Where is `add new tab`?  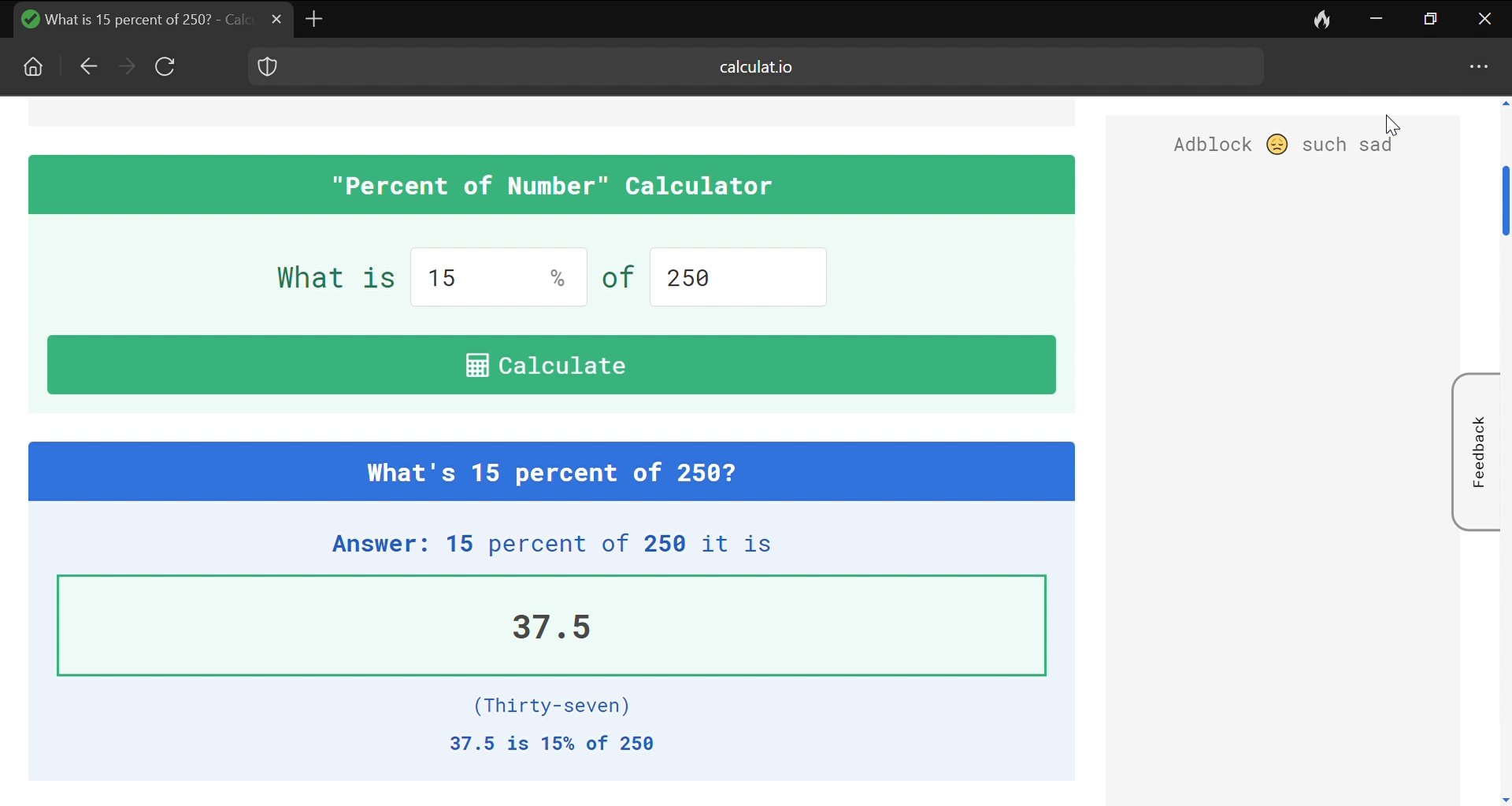
add new tab is located at coordinates (315, 17).